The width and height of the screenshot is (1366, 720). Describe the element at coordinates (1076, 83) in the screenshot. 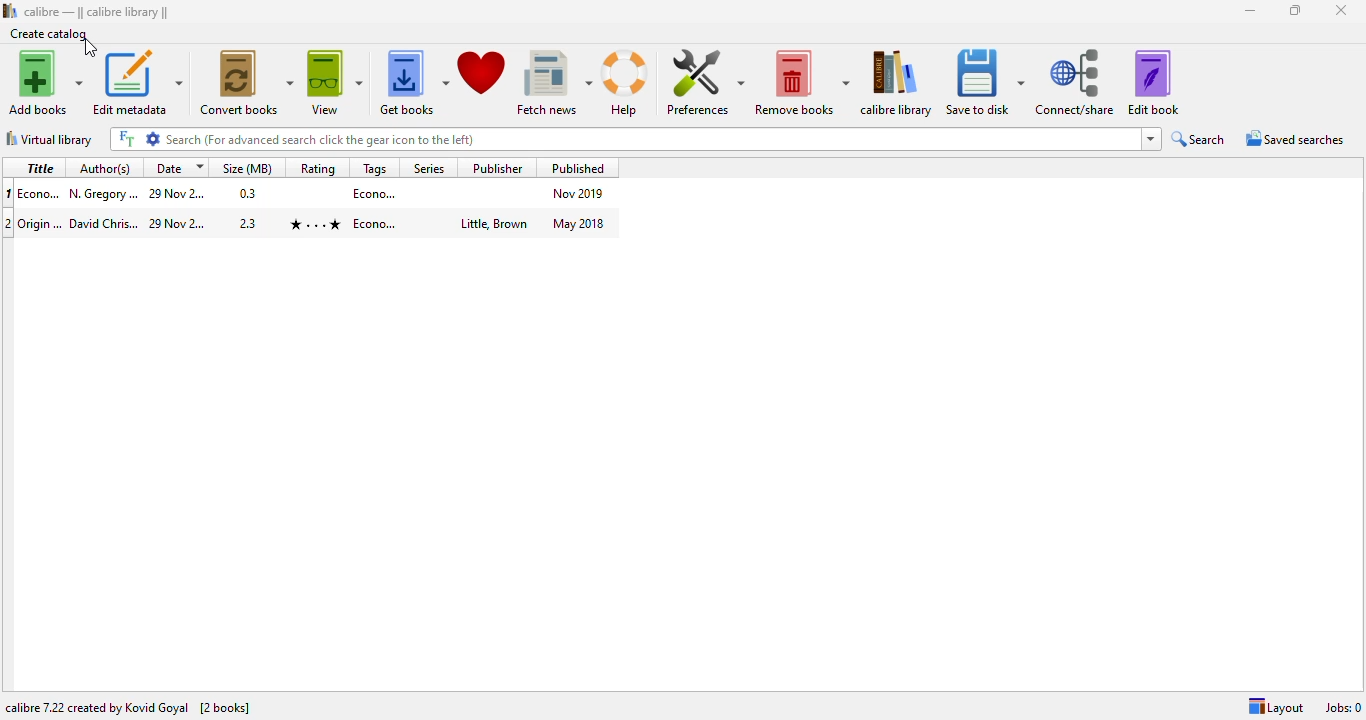

I see `connect/share` at that location.